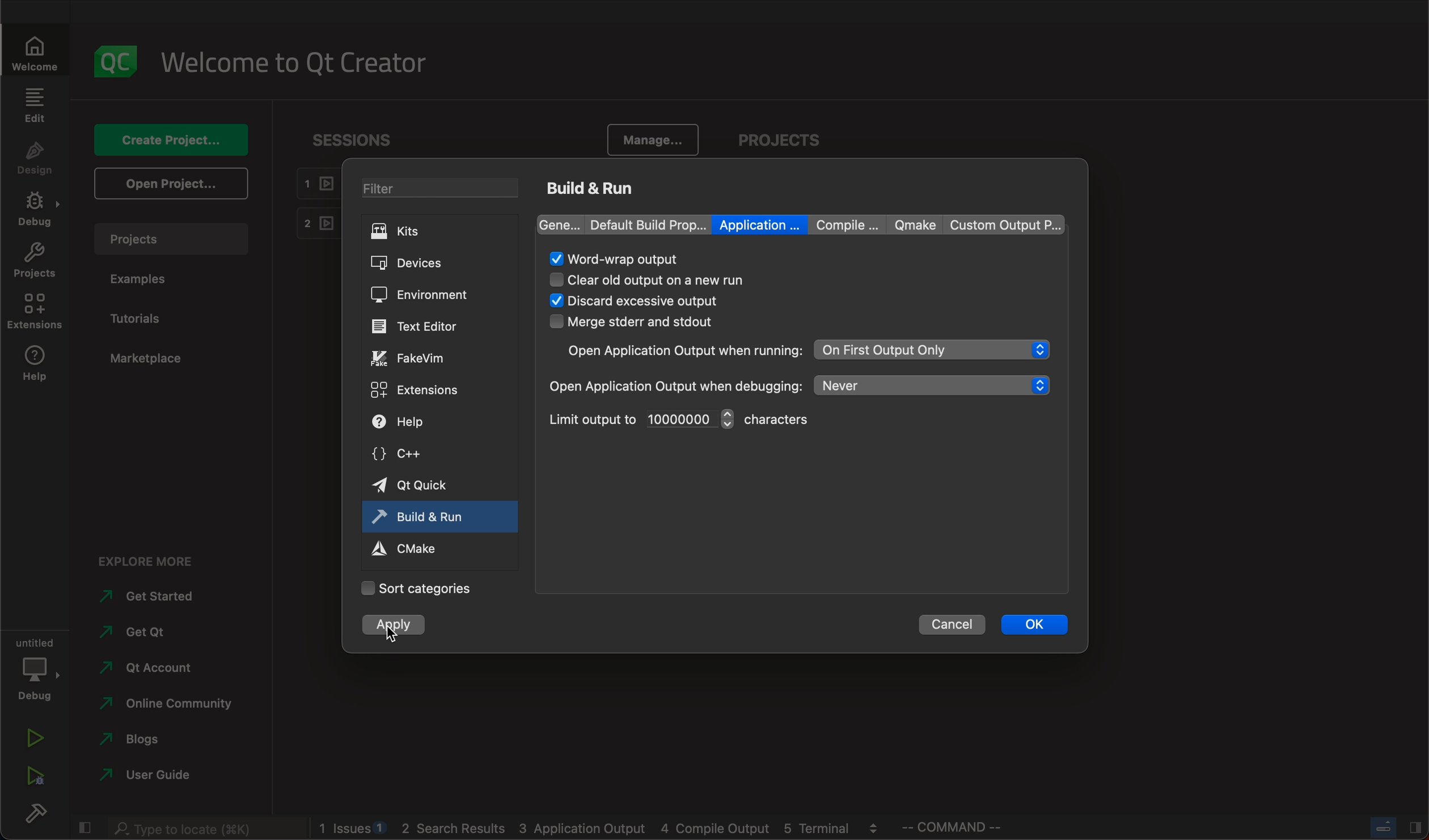 The height and width of the screenshot is (840, 1429). Describe the element at coordinates (36, 104) in the screenshot. I see `edit ` at that location.